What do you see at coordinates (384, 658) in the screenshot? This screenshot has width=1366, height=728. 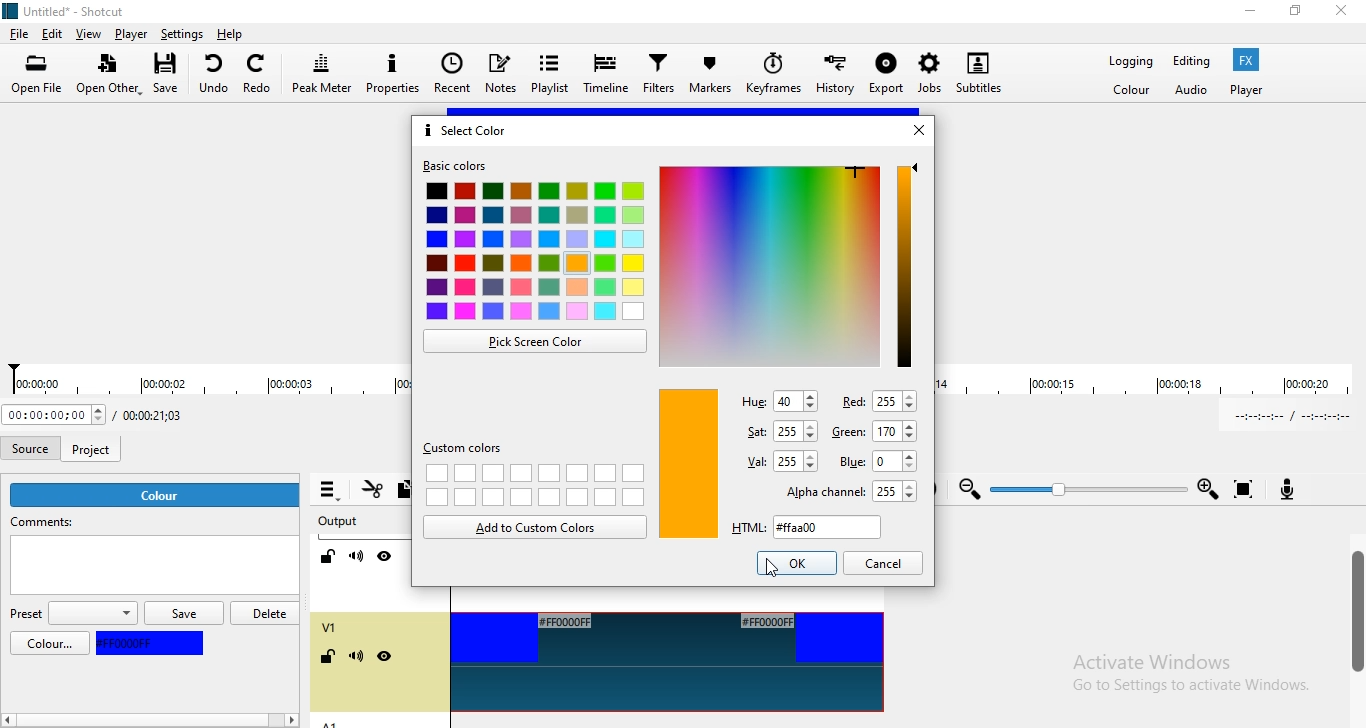 I see `hide` at bounding box center [384, 658].